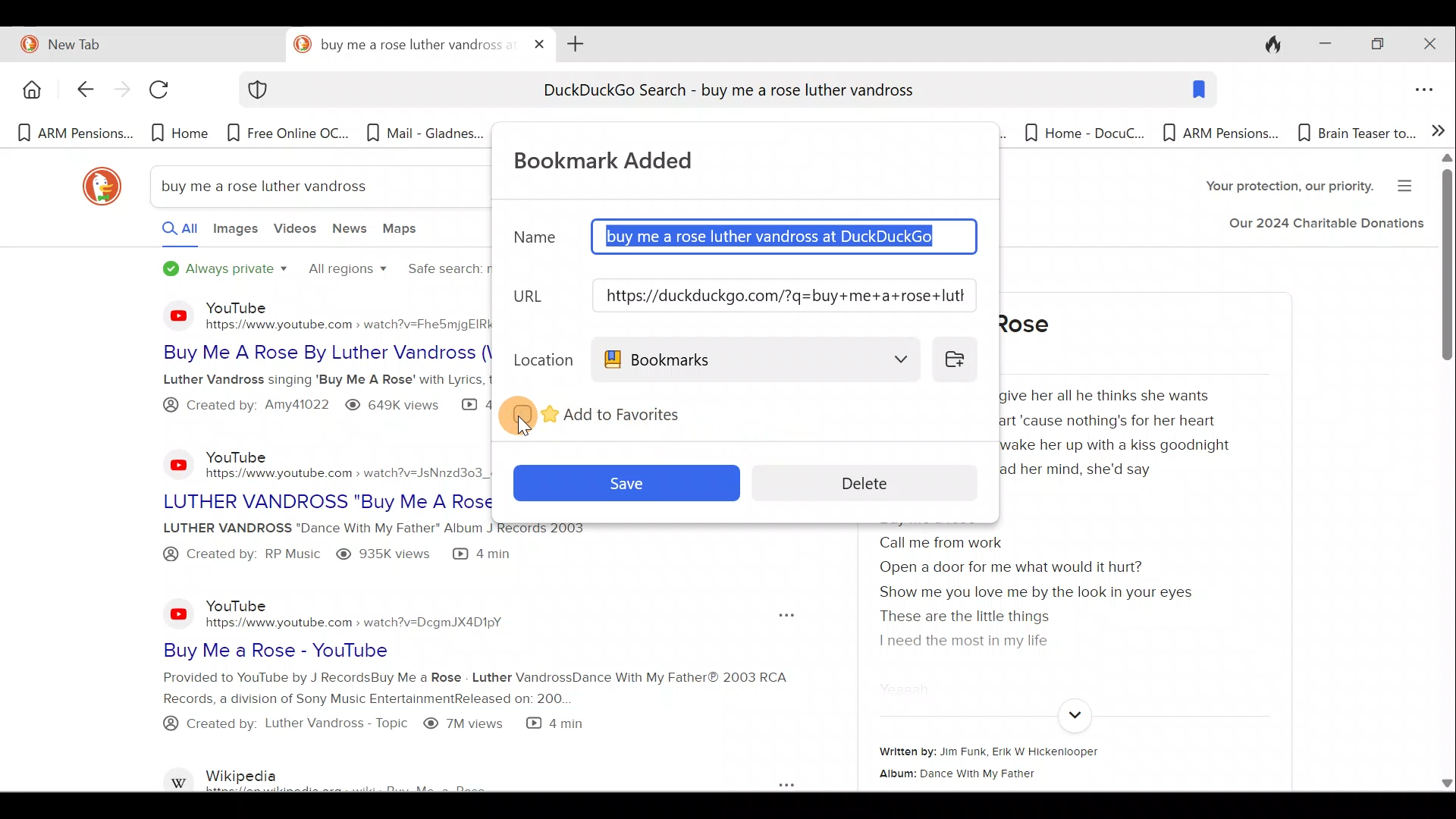 Image resolution: width=1456 pixels, height=819 pixels. What do you see at coordinates (782, 616) in the screenshot?
I see `Pop out` at bounding box center [782, 616].